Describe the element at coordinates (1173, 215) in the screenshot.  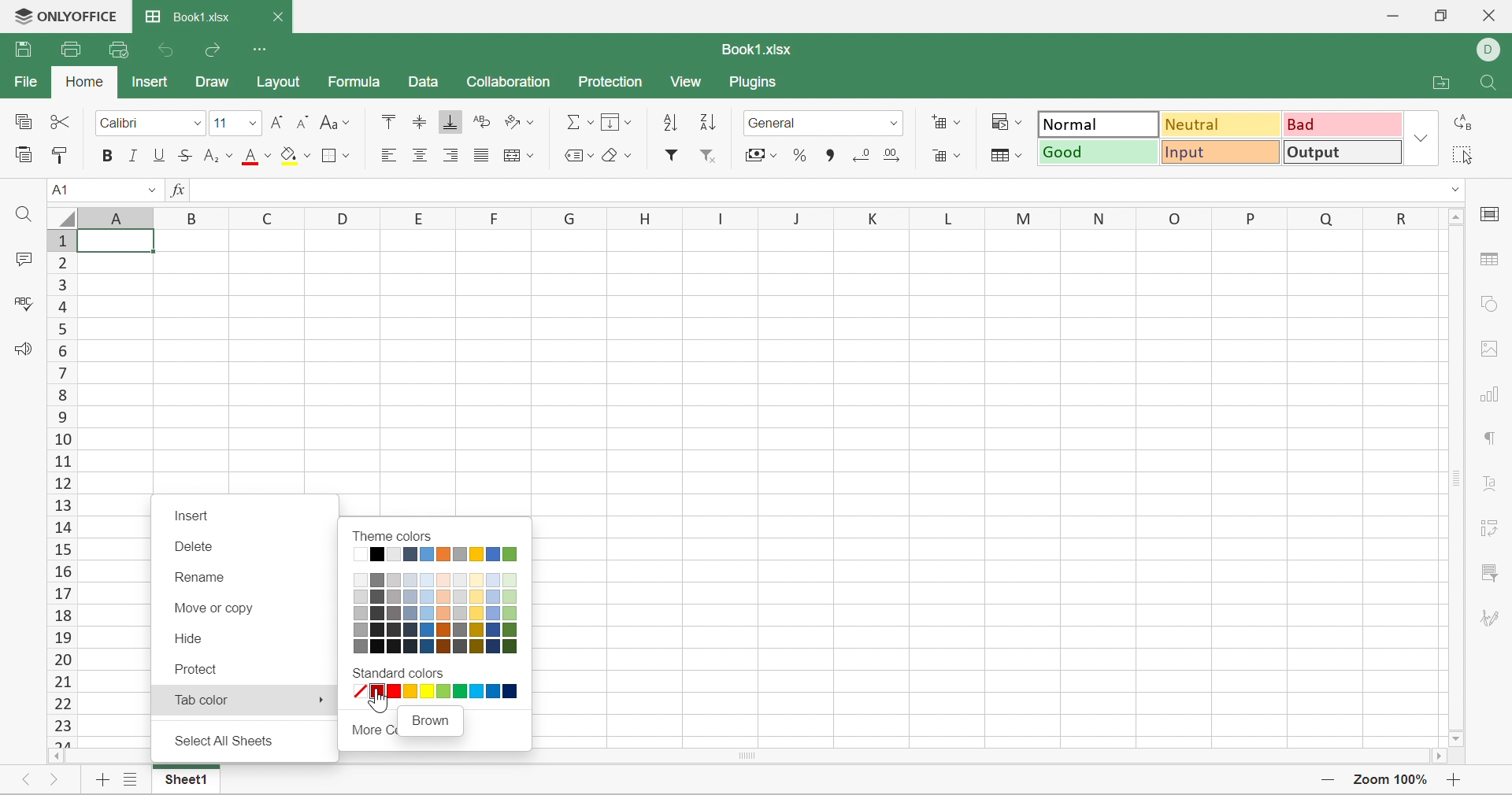
I see `O` at that location.